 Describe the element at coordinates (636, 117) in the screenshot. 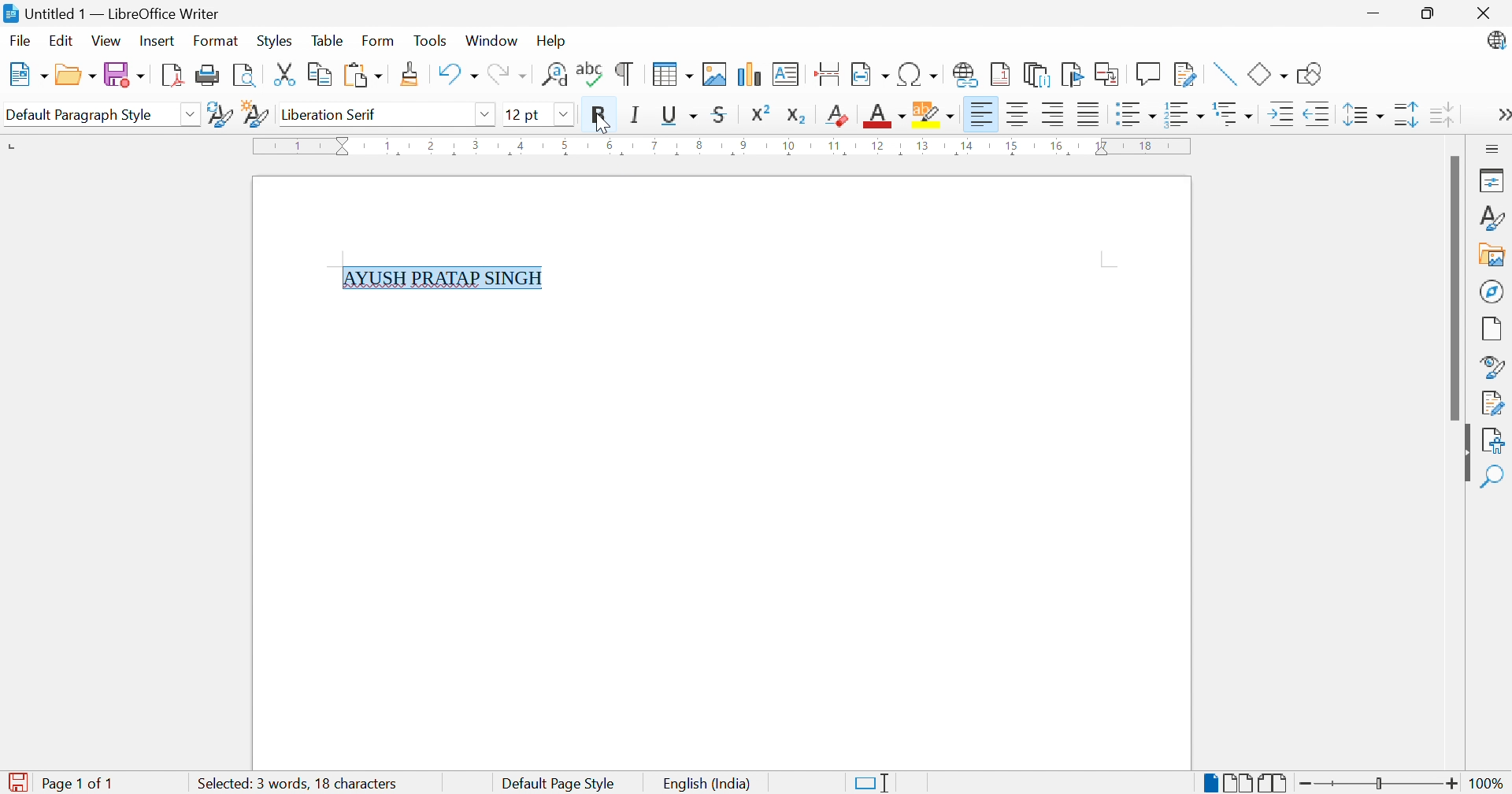

I see `Italic` at that location.